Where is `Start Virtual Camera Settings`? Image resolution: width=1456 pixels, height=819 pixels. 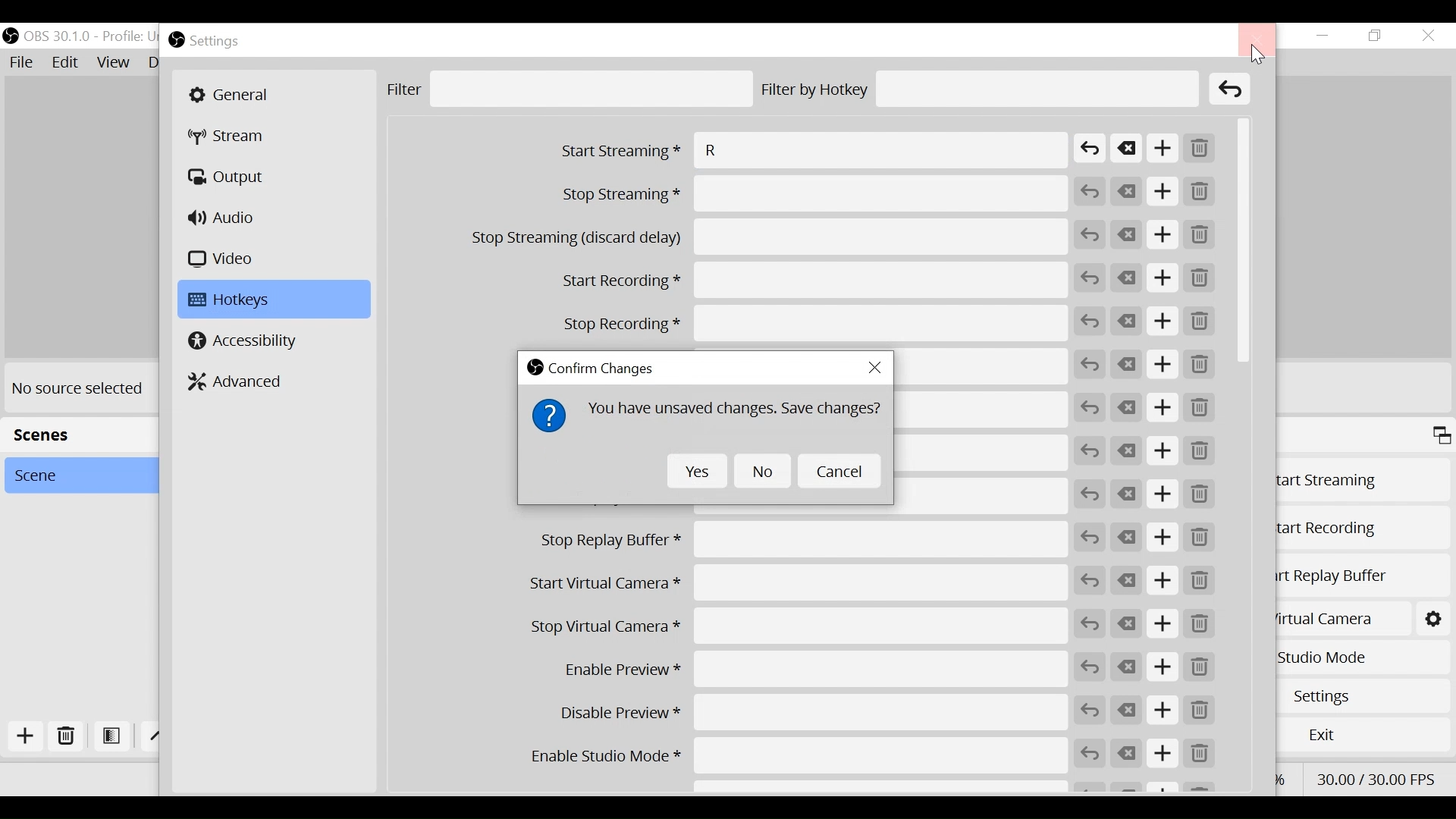 Start Virtual Camera Settings is located at coordinates (1436, 619).